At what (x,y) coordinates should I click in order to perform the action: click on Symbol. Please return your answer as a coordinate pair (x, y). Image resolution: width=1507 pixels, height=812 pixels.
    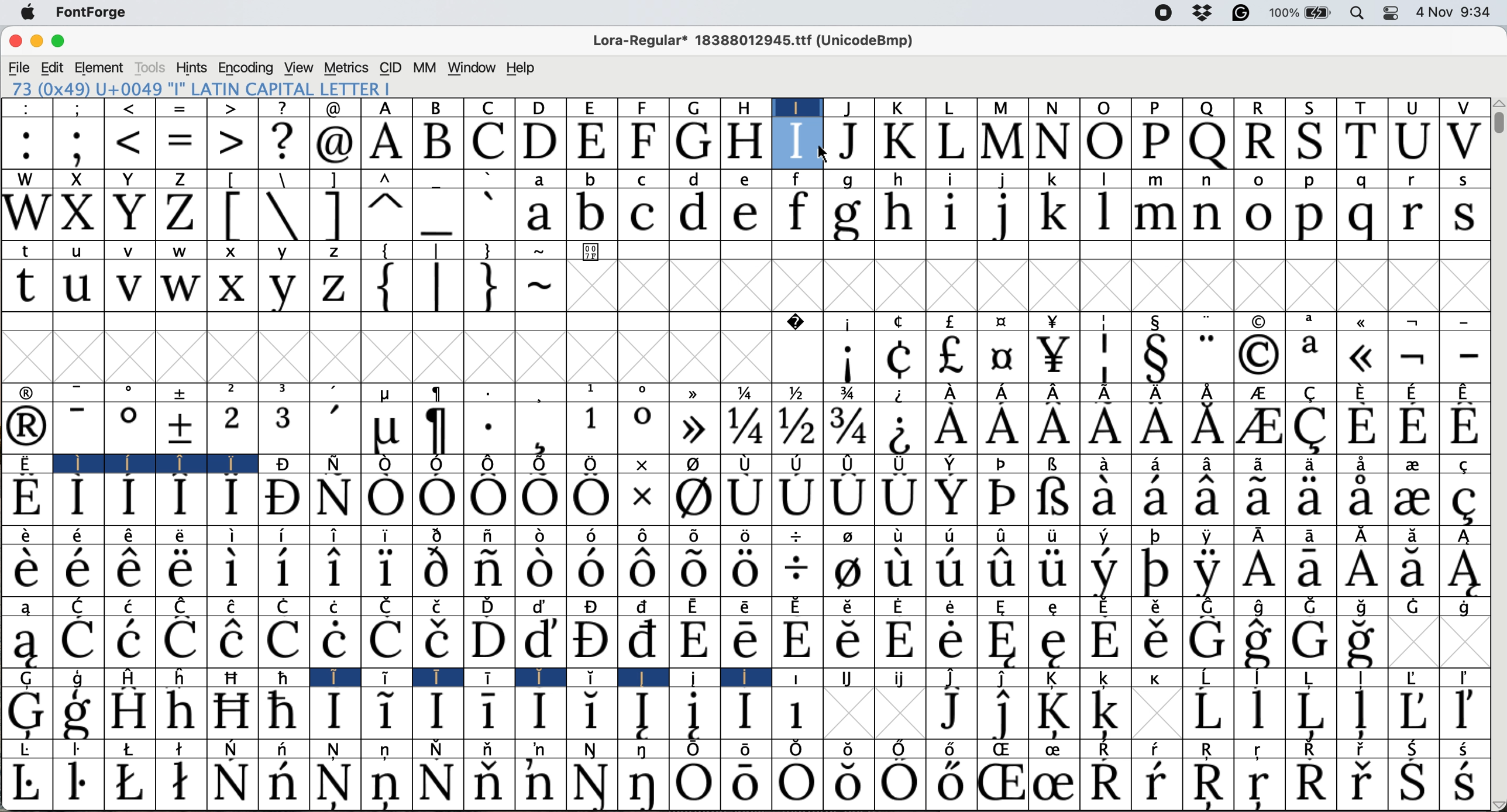
    Looking at the image, I should click on (592, 784).